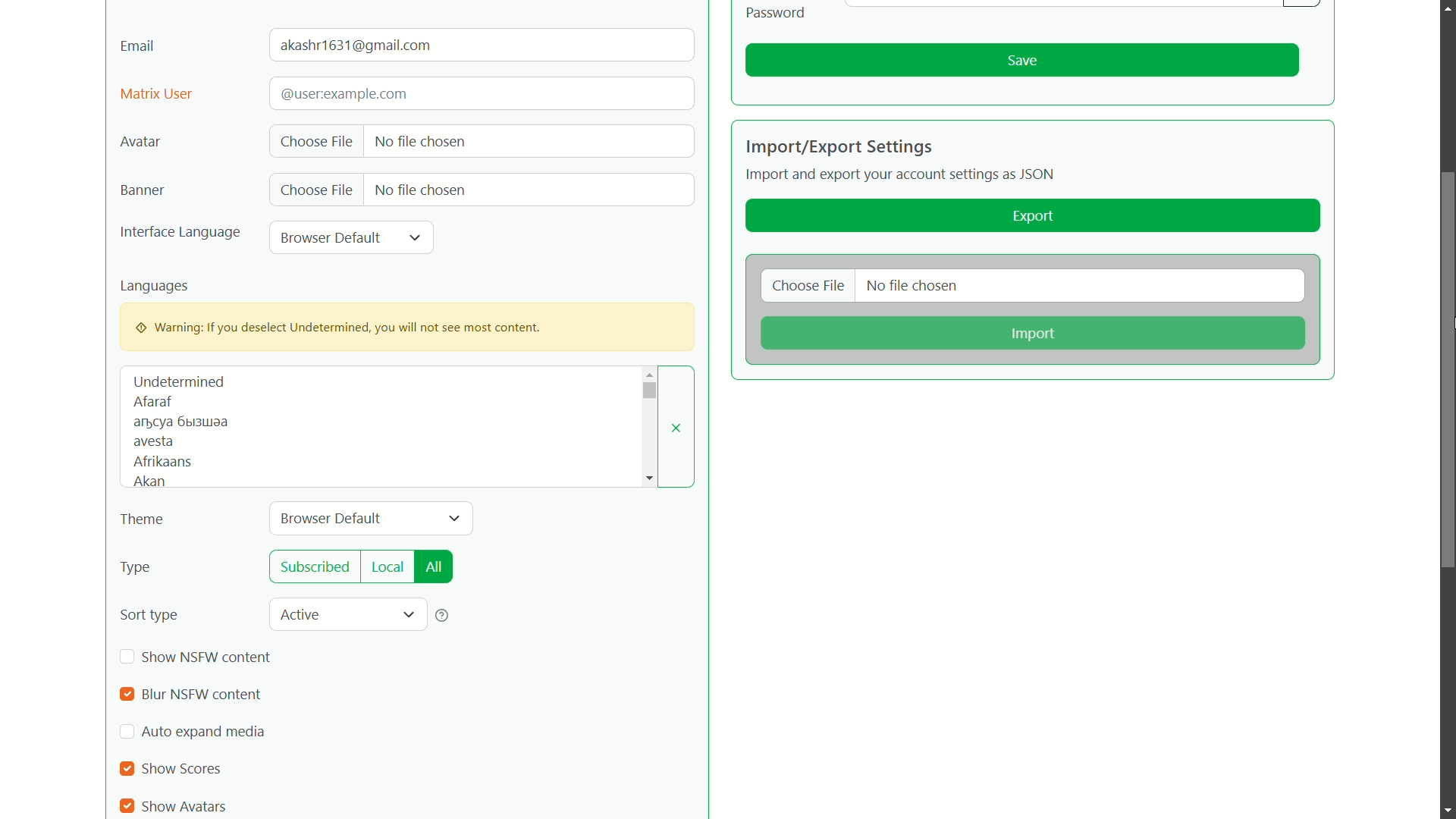 The width and height of the screenshot is (1456, 819). I want to click on banner, so click(140, 190).